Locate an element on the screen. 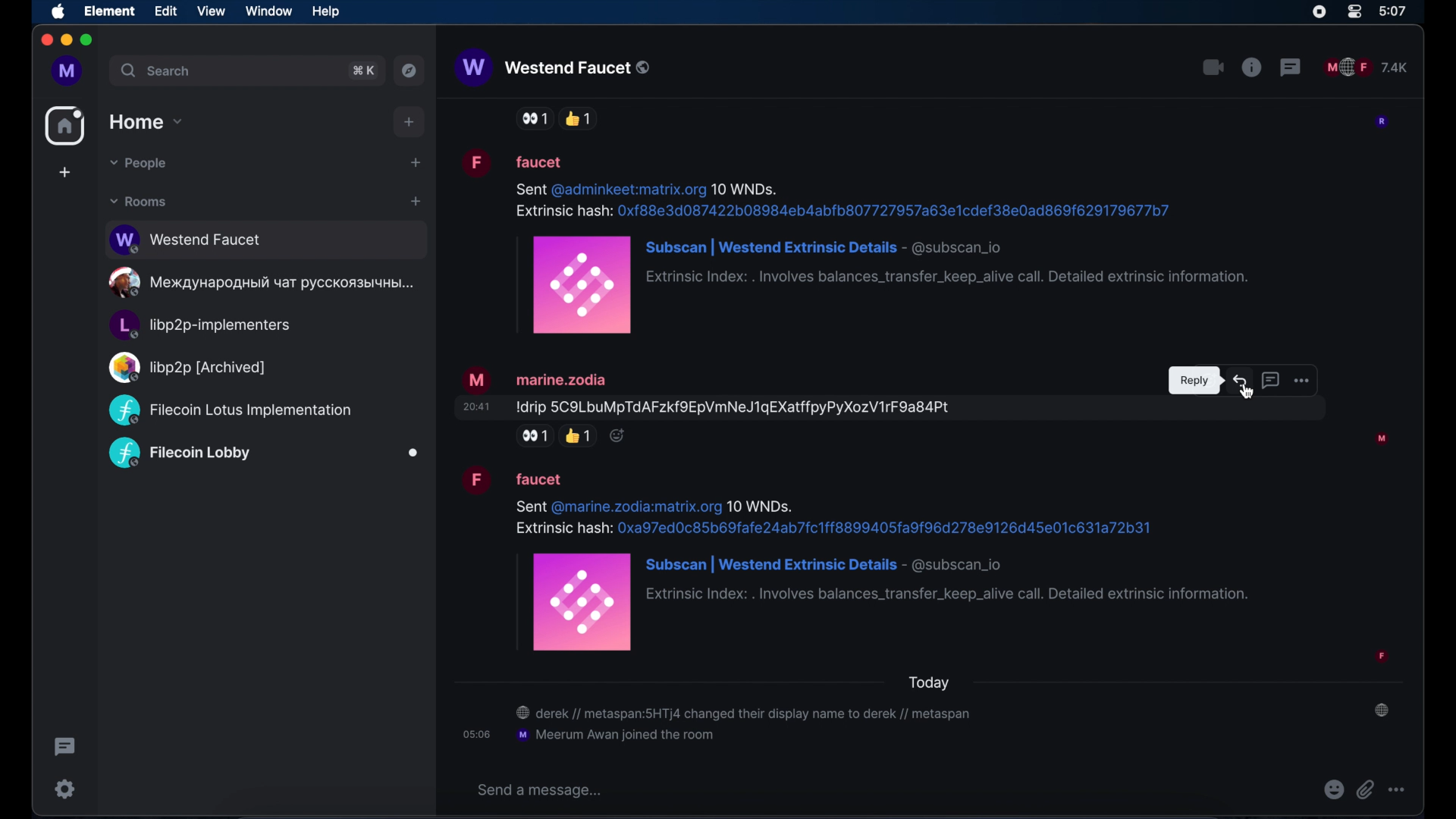  Cursor is located at coordinates (1248, 391).